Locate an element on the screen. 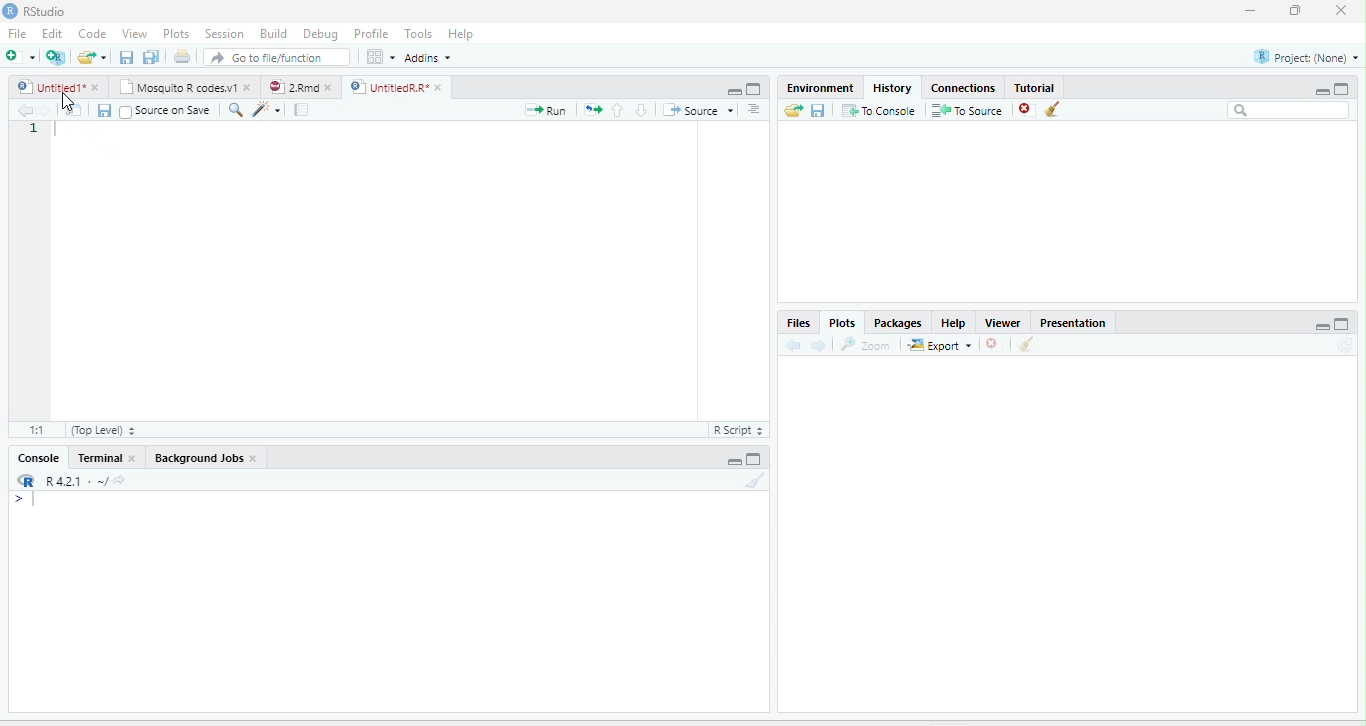  Save current document is located at coordinates (126, 56).